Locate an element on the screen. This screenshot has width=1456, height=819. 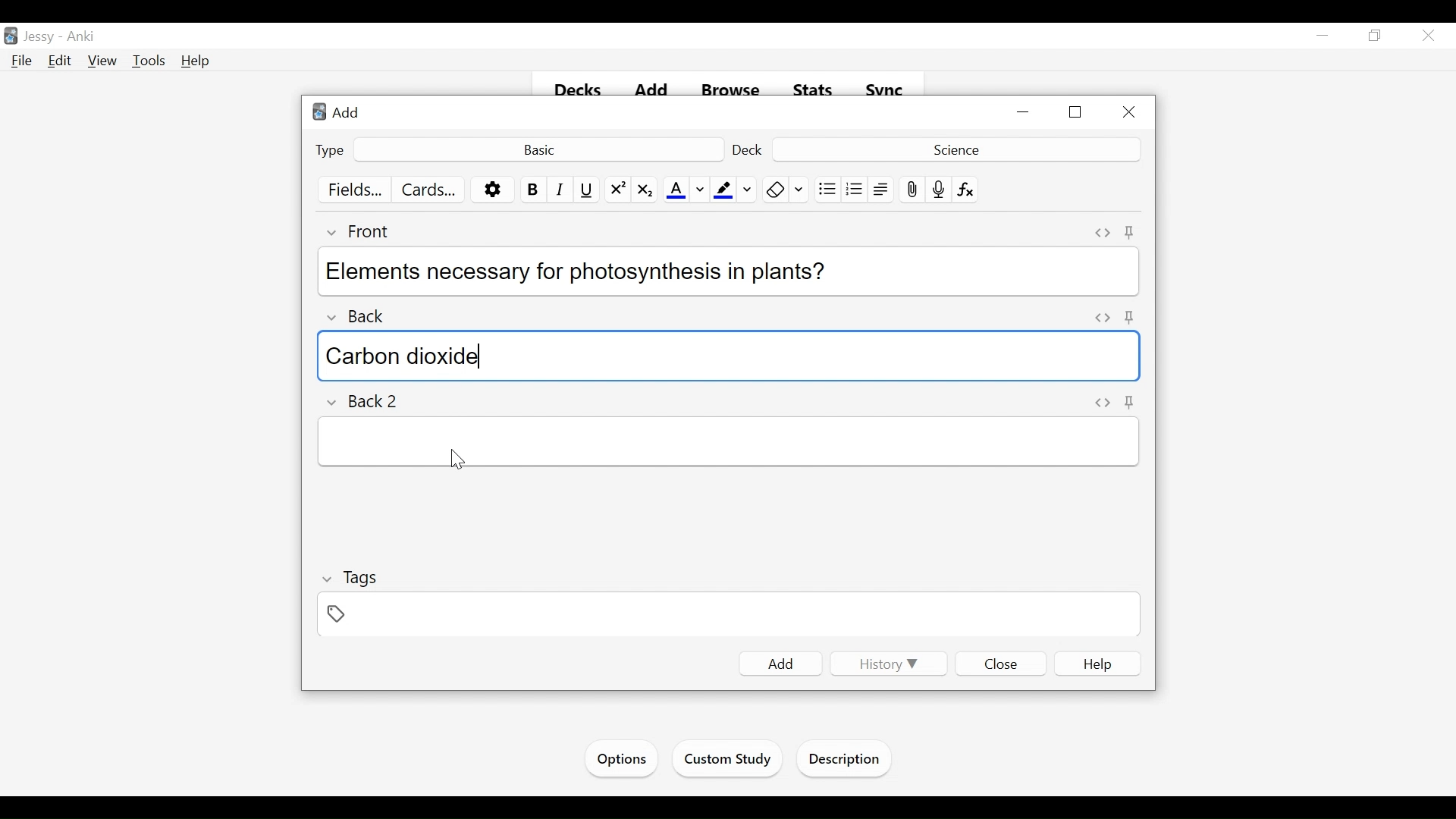
Toggle HTML Editor is located at coordinates (1103, 233).